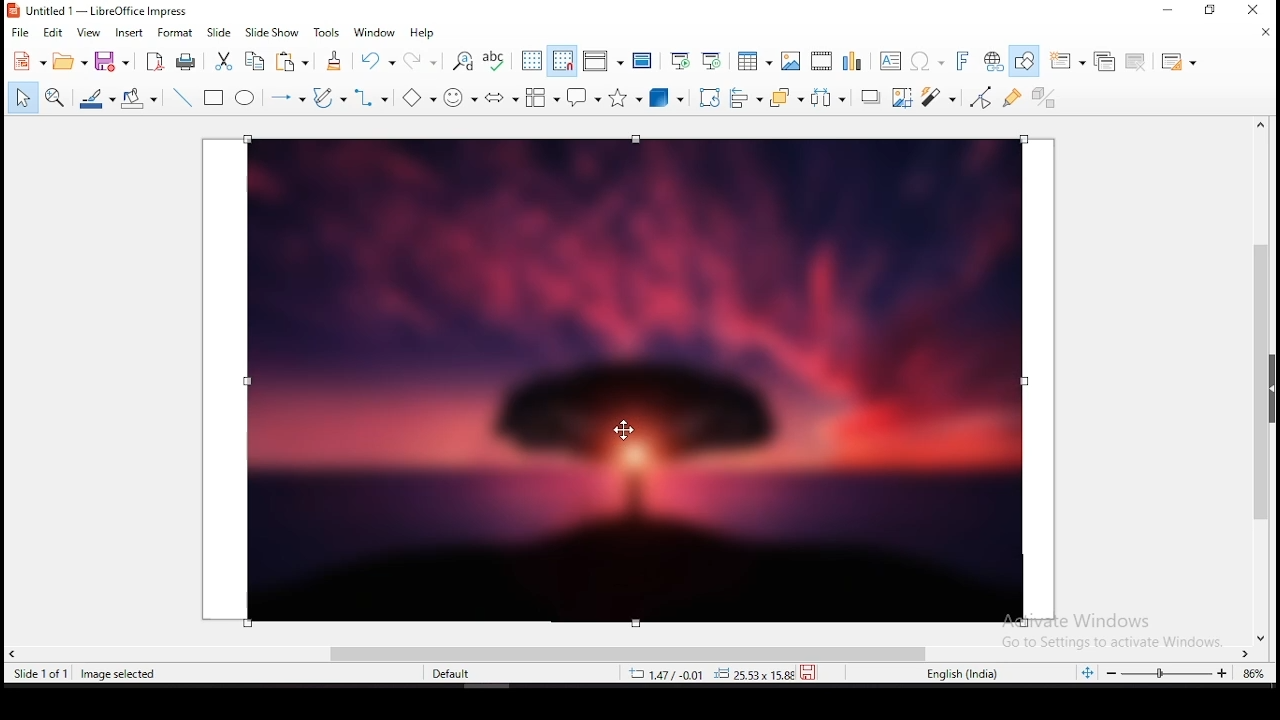 This screenshot has width=1280, height=720. What do you see at coordinates (531, 61) in the screenshot?
I see `display grid` at bounding box center [531, 61].